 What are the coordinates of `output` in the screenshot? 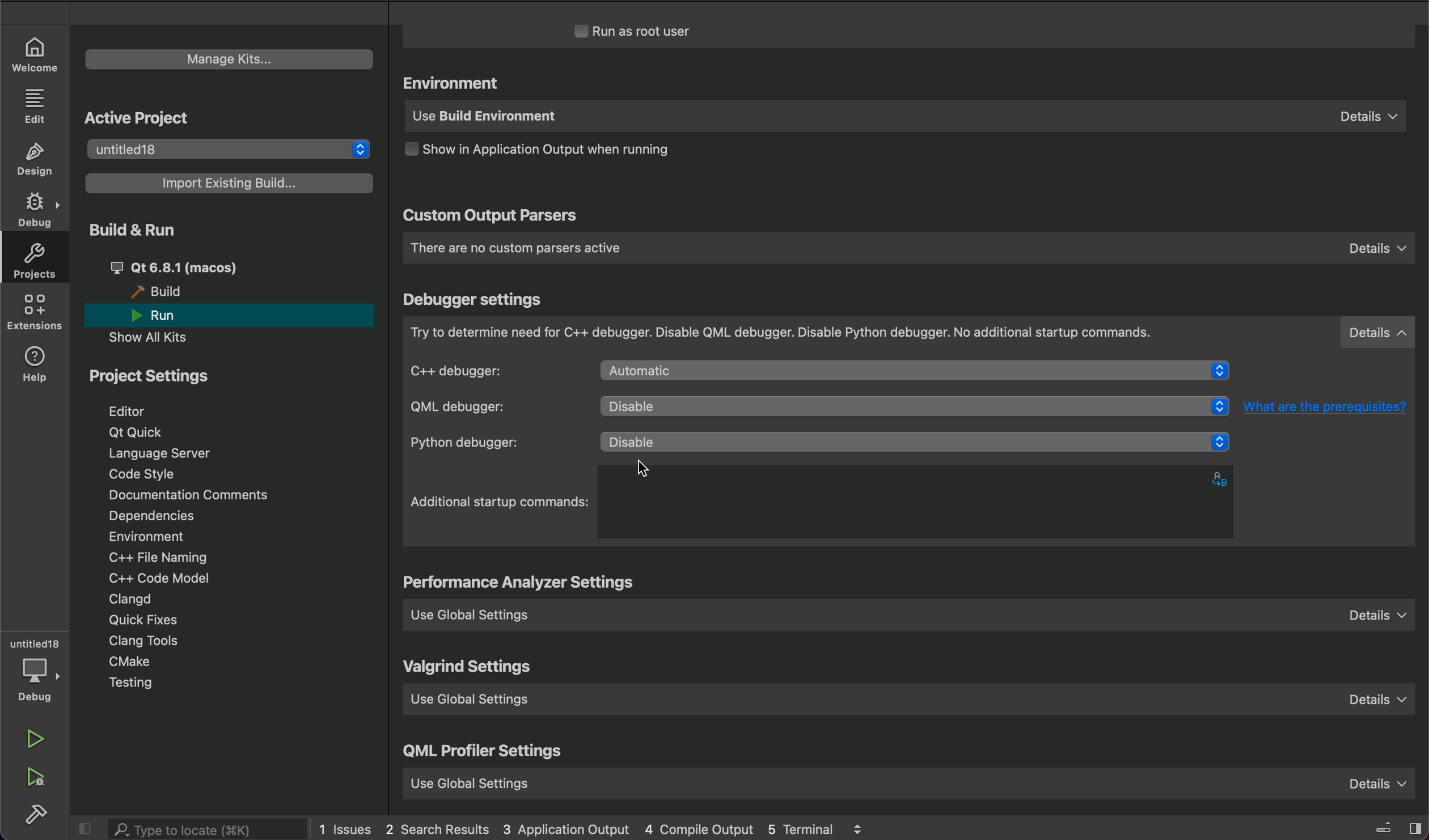 It's located at (557, 152).